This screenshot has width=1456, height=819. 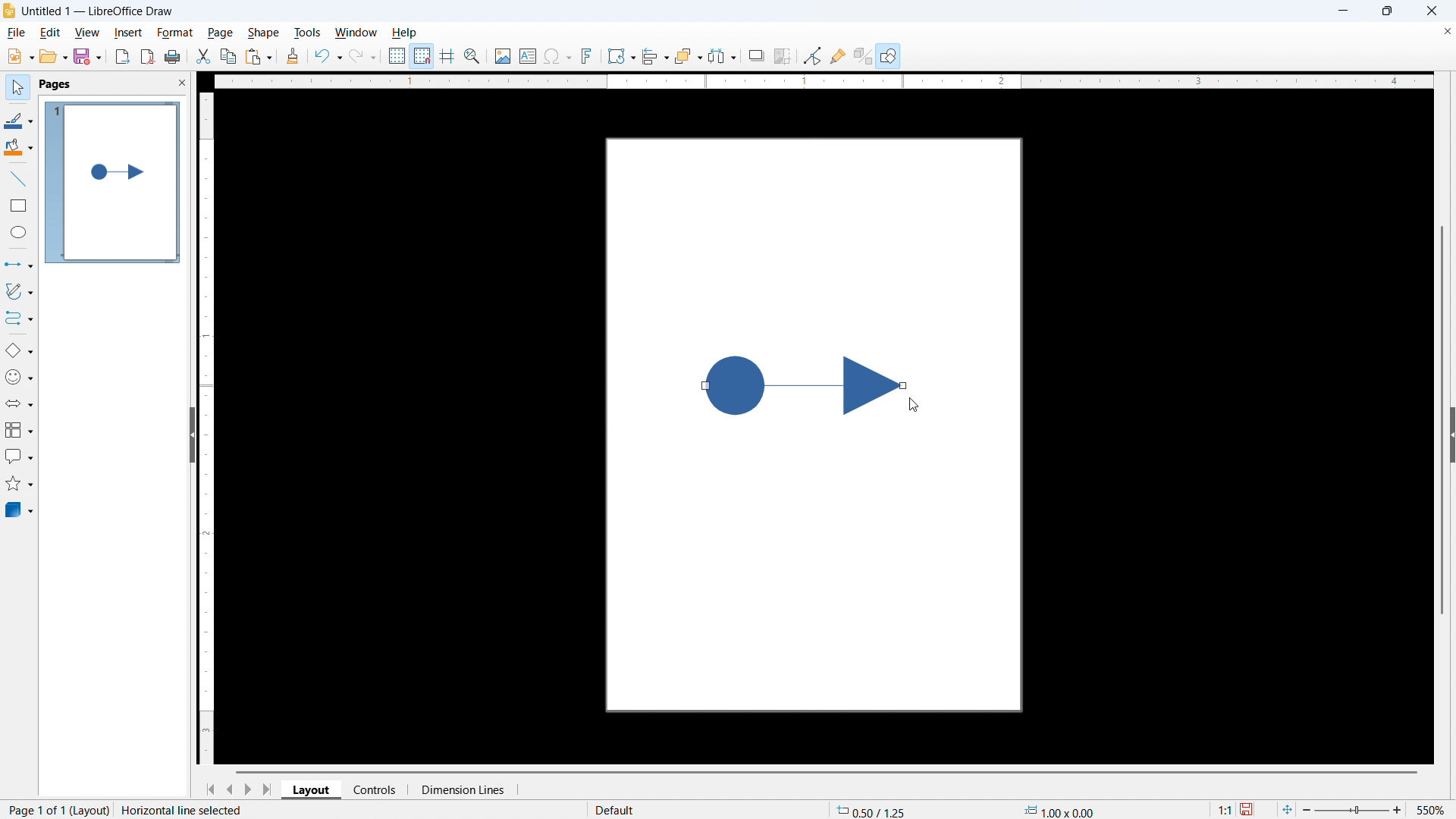 What do you see at coordinates (19, 231) in the screenshot?
I see `Ellipse ` at bounding box center [19, 231].